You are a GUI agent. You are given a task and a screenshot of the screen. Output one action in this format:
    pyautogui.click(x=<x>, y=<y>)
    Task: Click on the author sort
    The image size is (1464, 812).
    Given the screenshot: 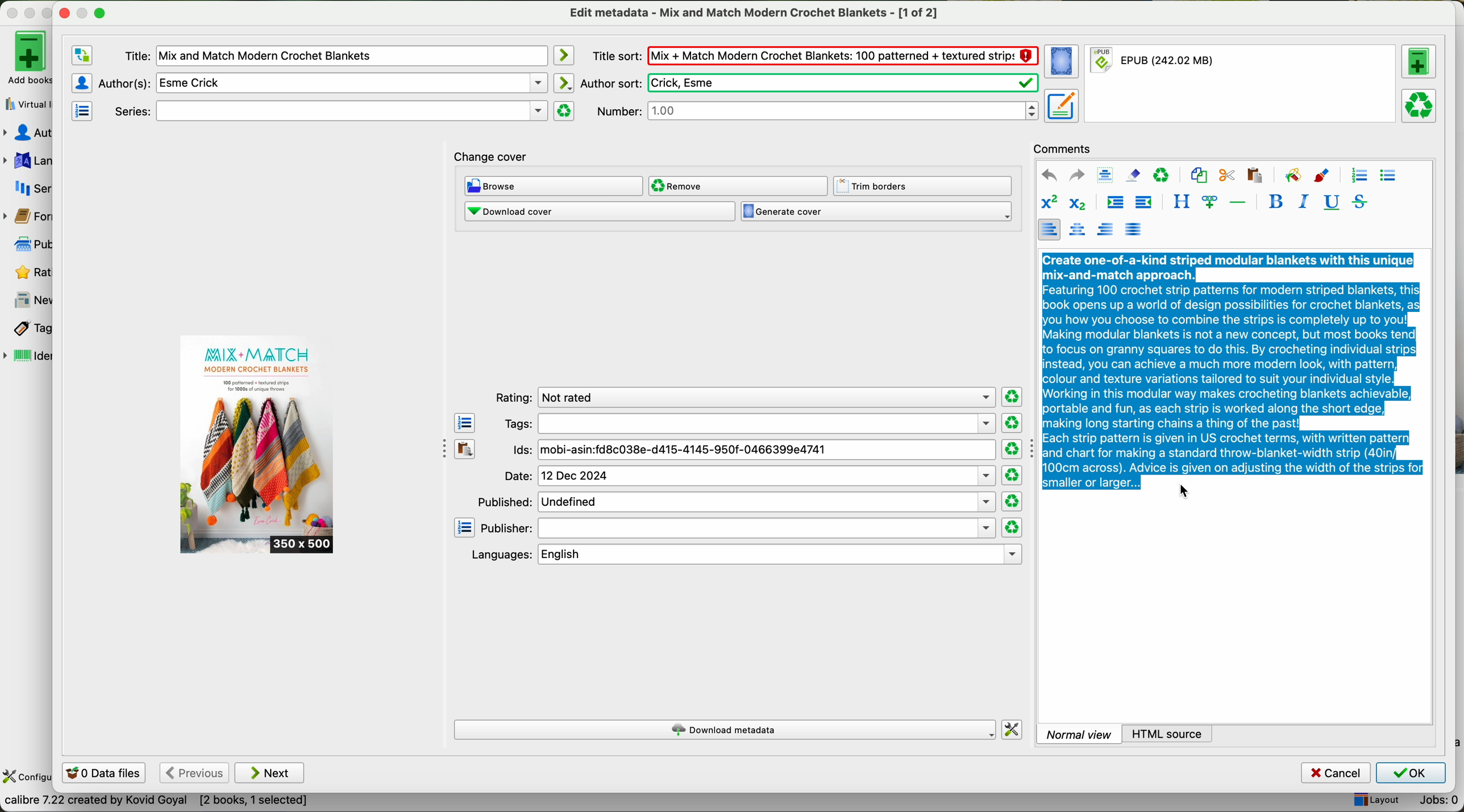 What is the action you would take?
    pyautogui.click(x=808, y=83)
    